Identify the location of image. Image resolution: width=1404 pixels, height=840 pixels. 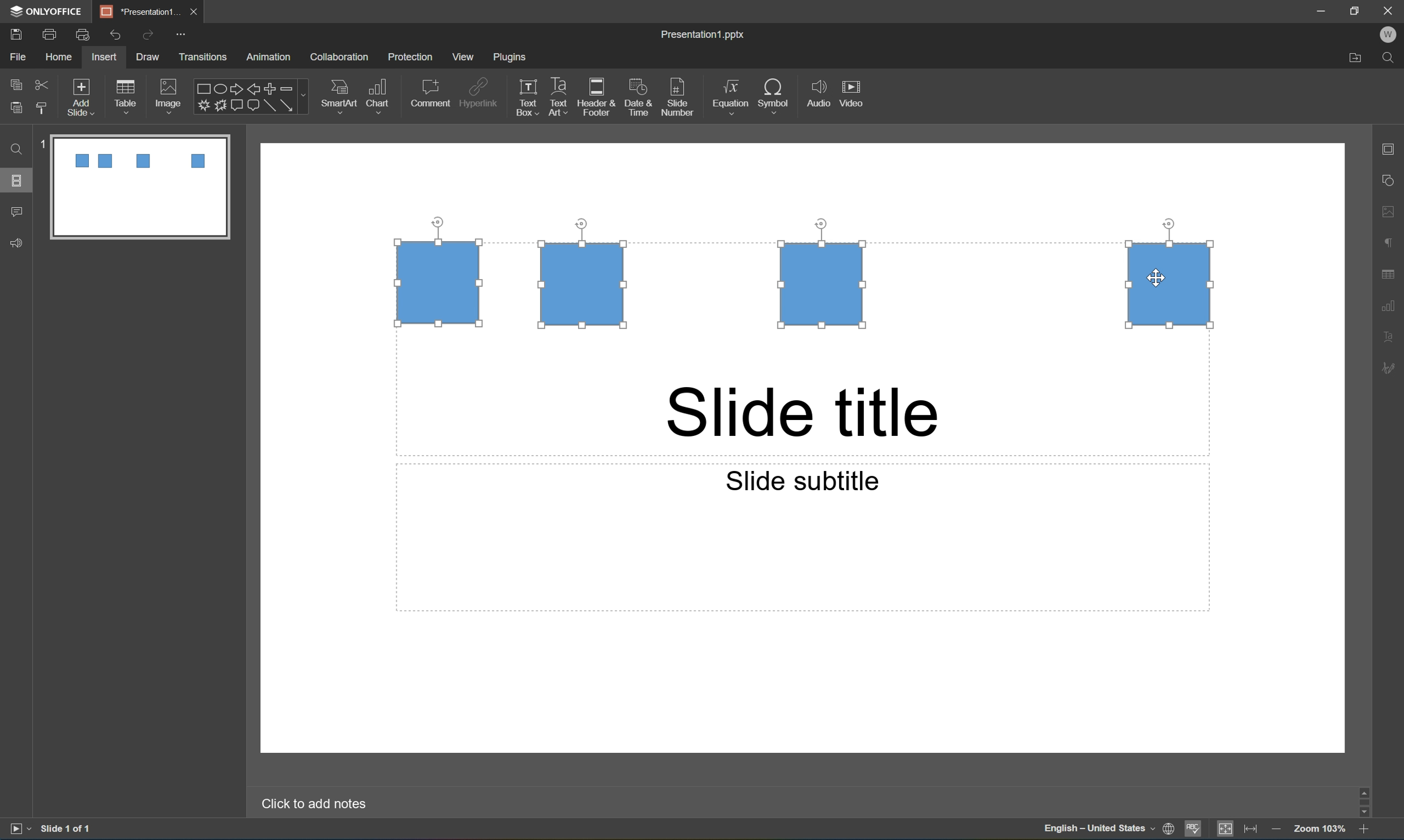
(168, 93).